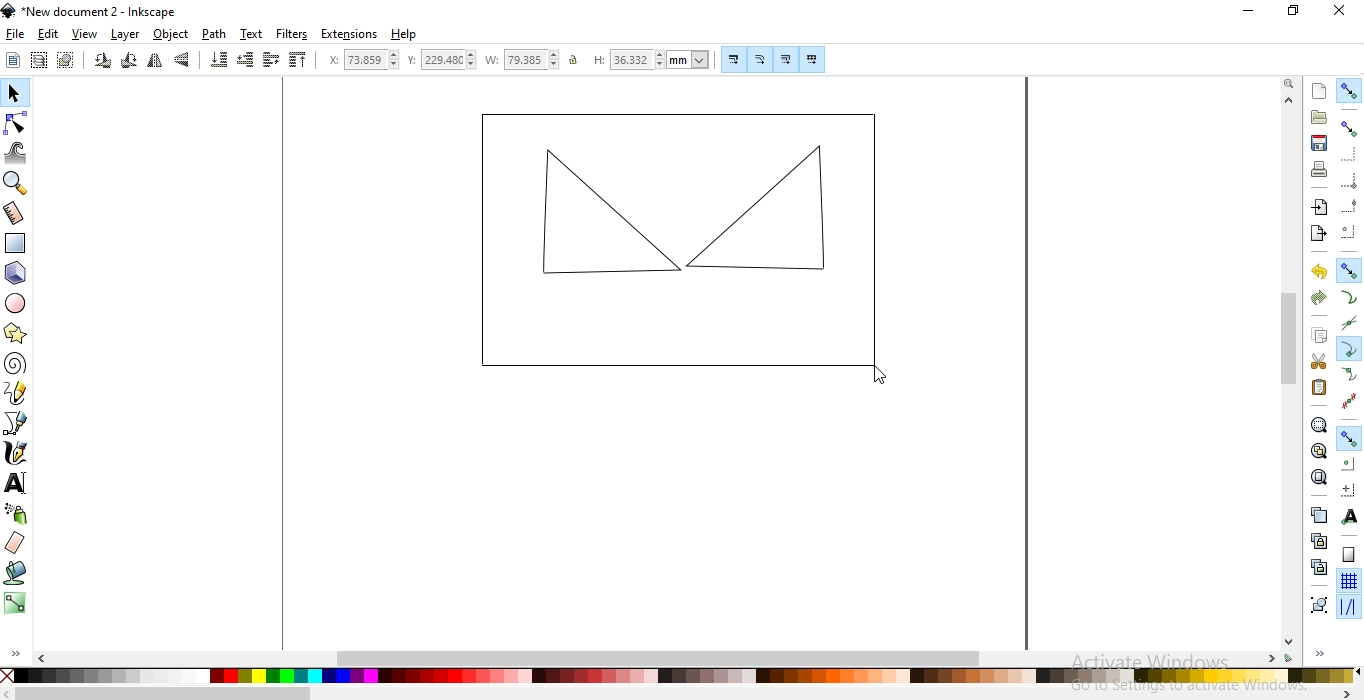 This screenshot has height=700, width=1364. Describe the element at coordinates (1316, 233) in the screenshot. I see `export document` at that location.